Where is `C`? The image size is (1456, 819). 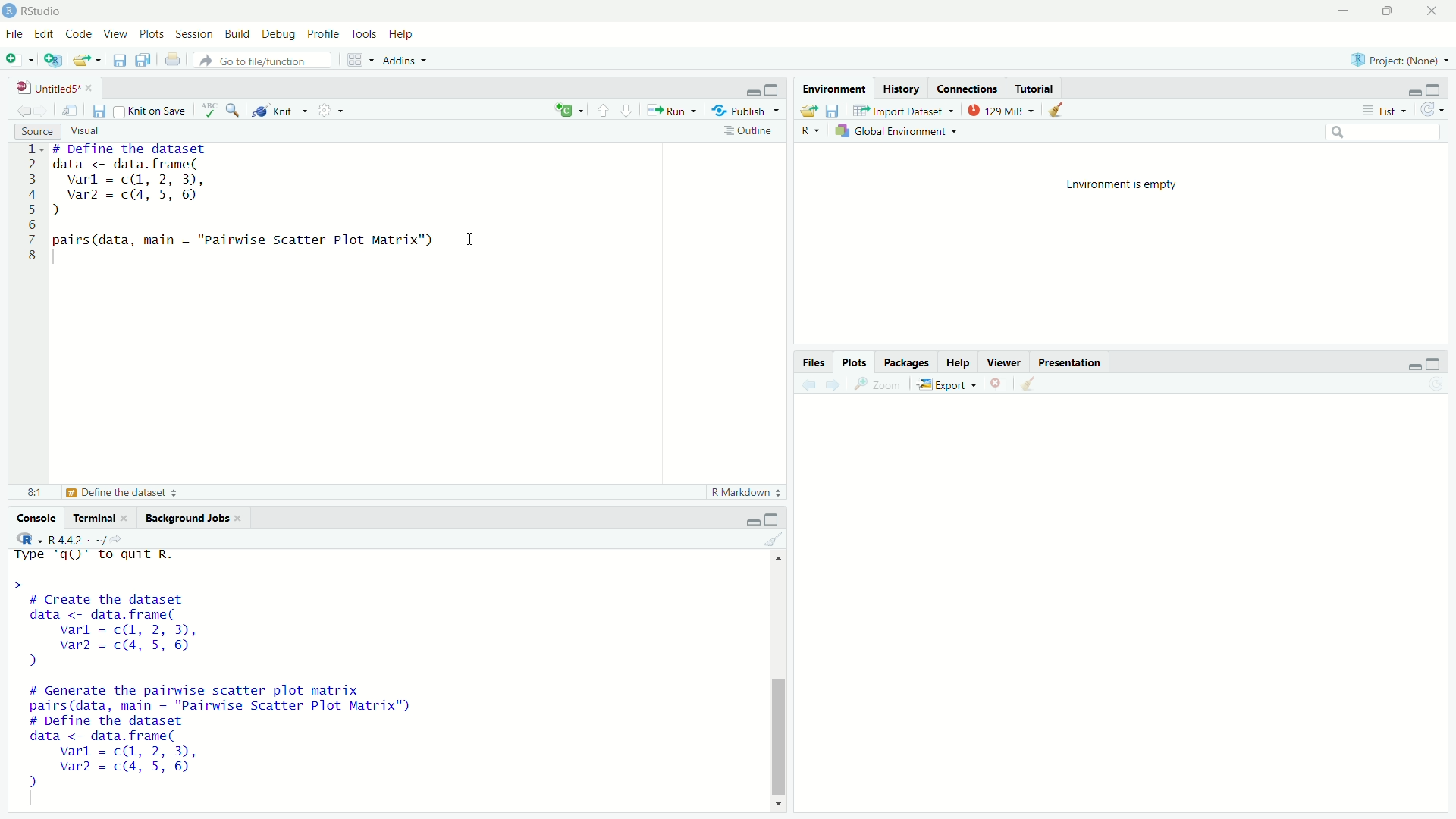
C is located at coordinates (567, 111).